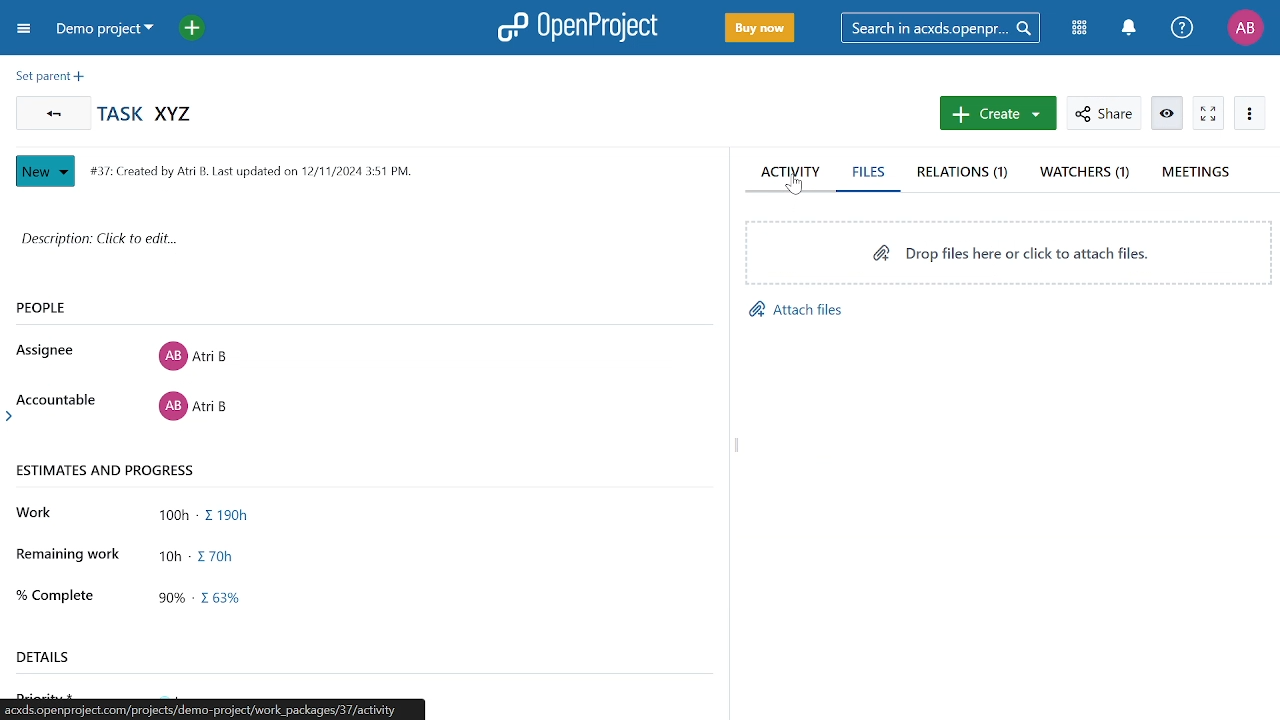 The width and height of the screenshot is (1280, 720). I want to click on Assignee, so click(52, 355).